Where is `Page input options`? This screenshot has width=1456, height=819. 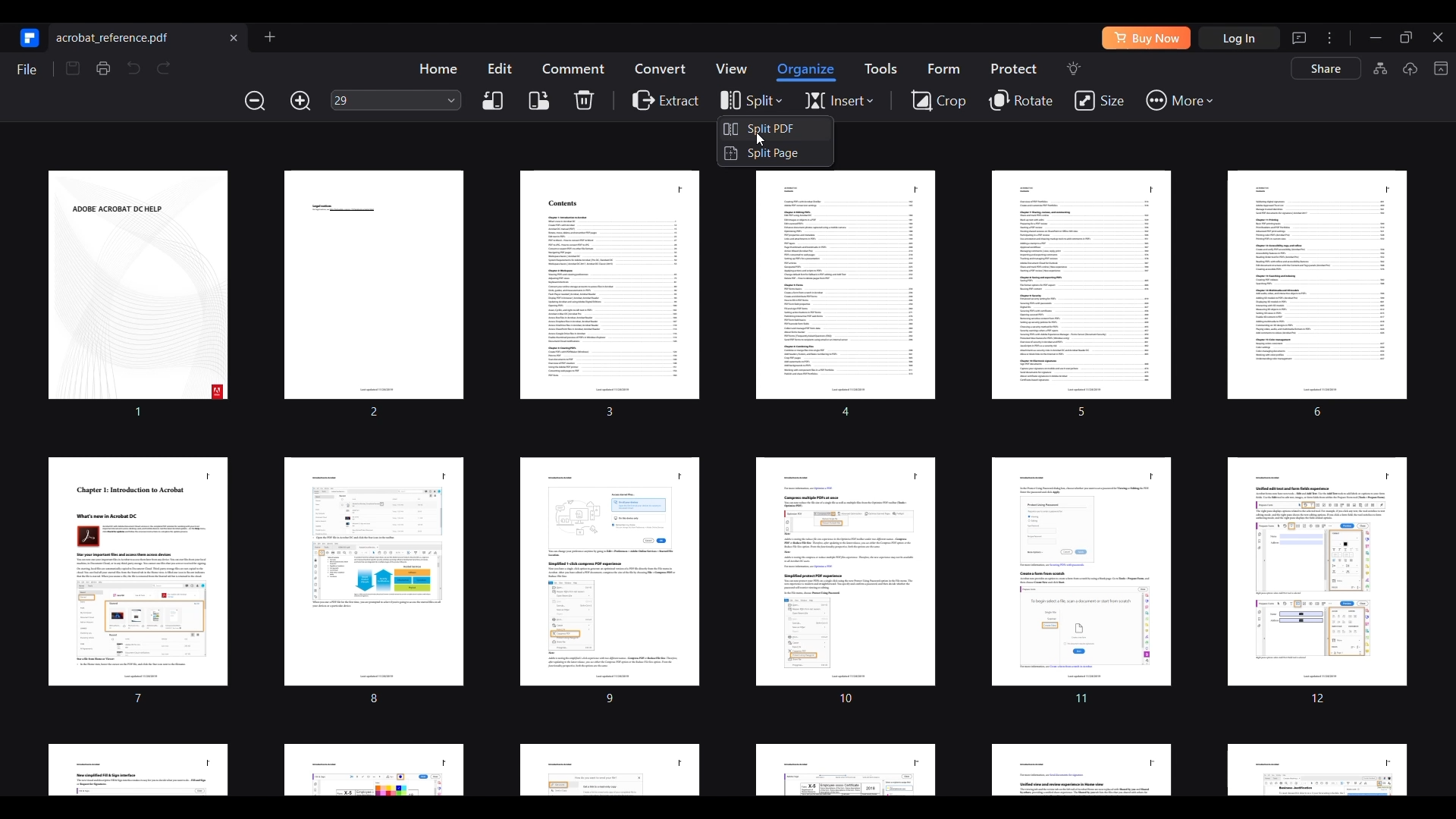
Page input options is located at coordinates (452, 99).